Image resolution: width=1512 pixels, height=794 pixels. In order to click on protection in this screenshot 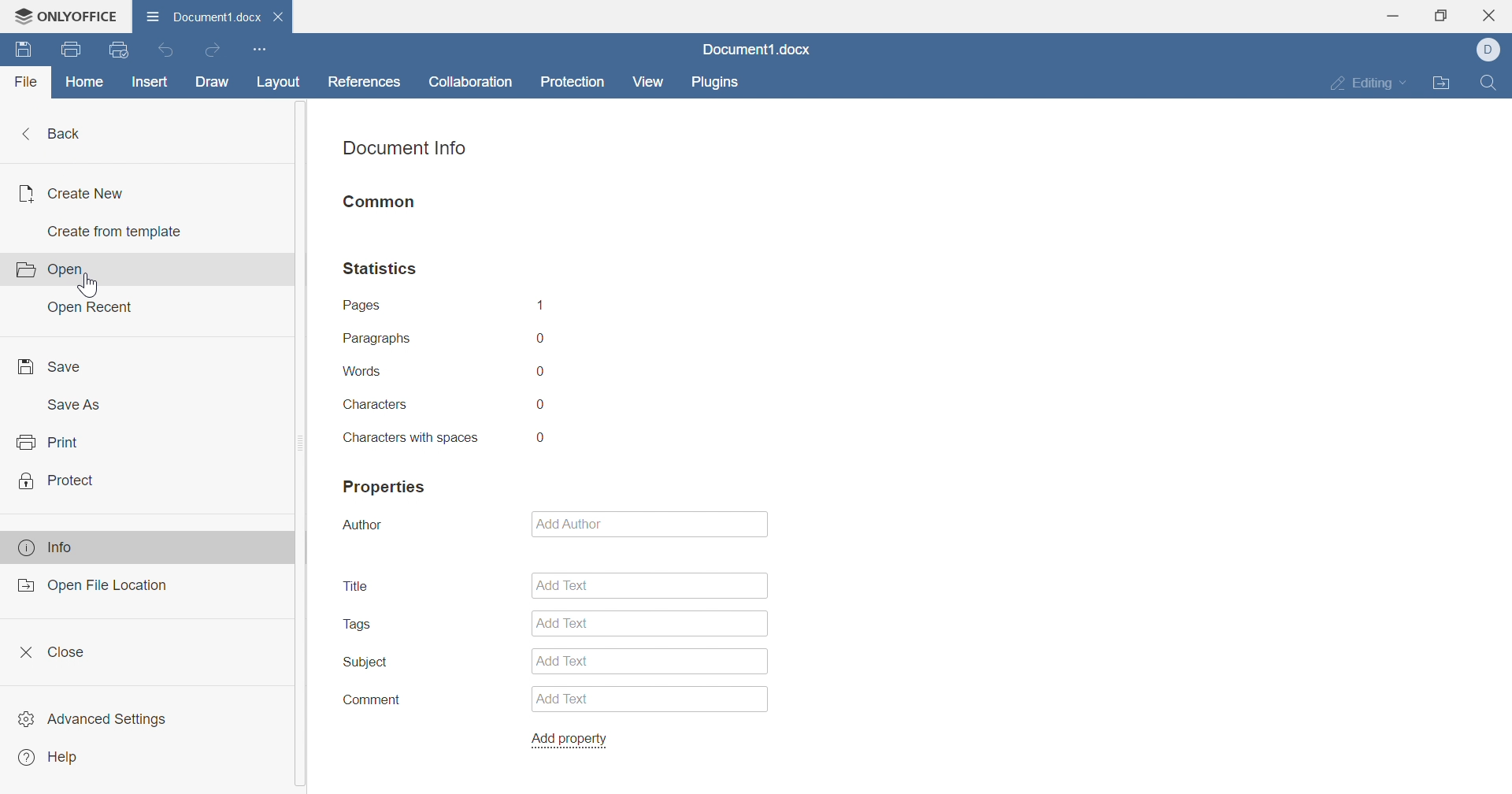, I will do `click(571, 86)`.